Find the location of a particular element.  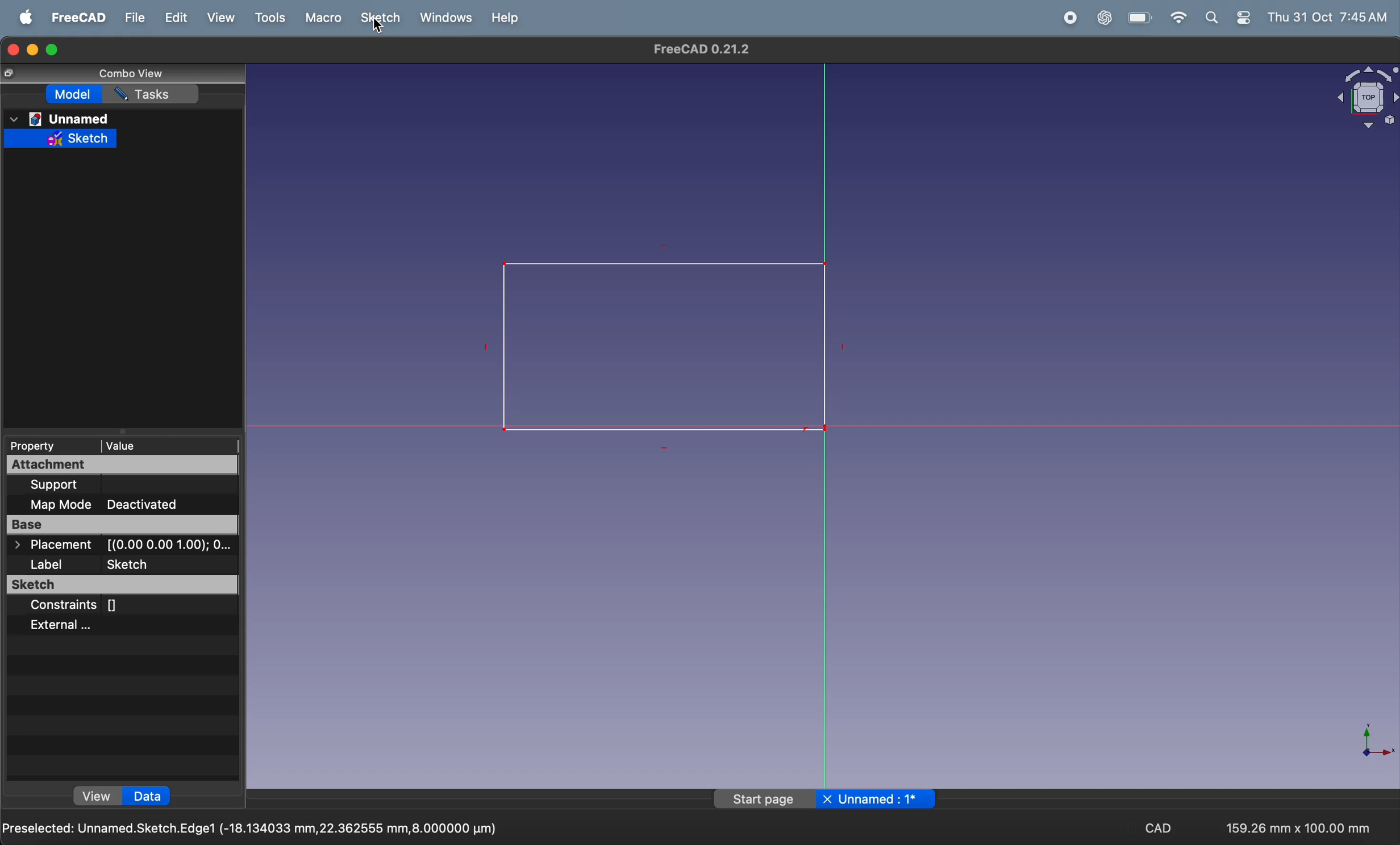

help is located at coordinates (508, 19).